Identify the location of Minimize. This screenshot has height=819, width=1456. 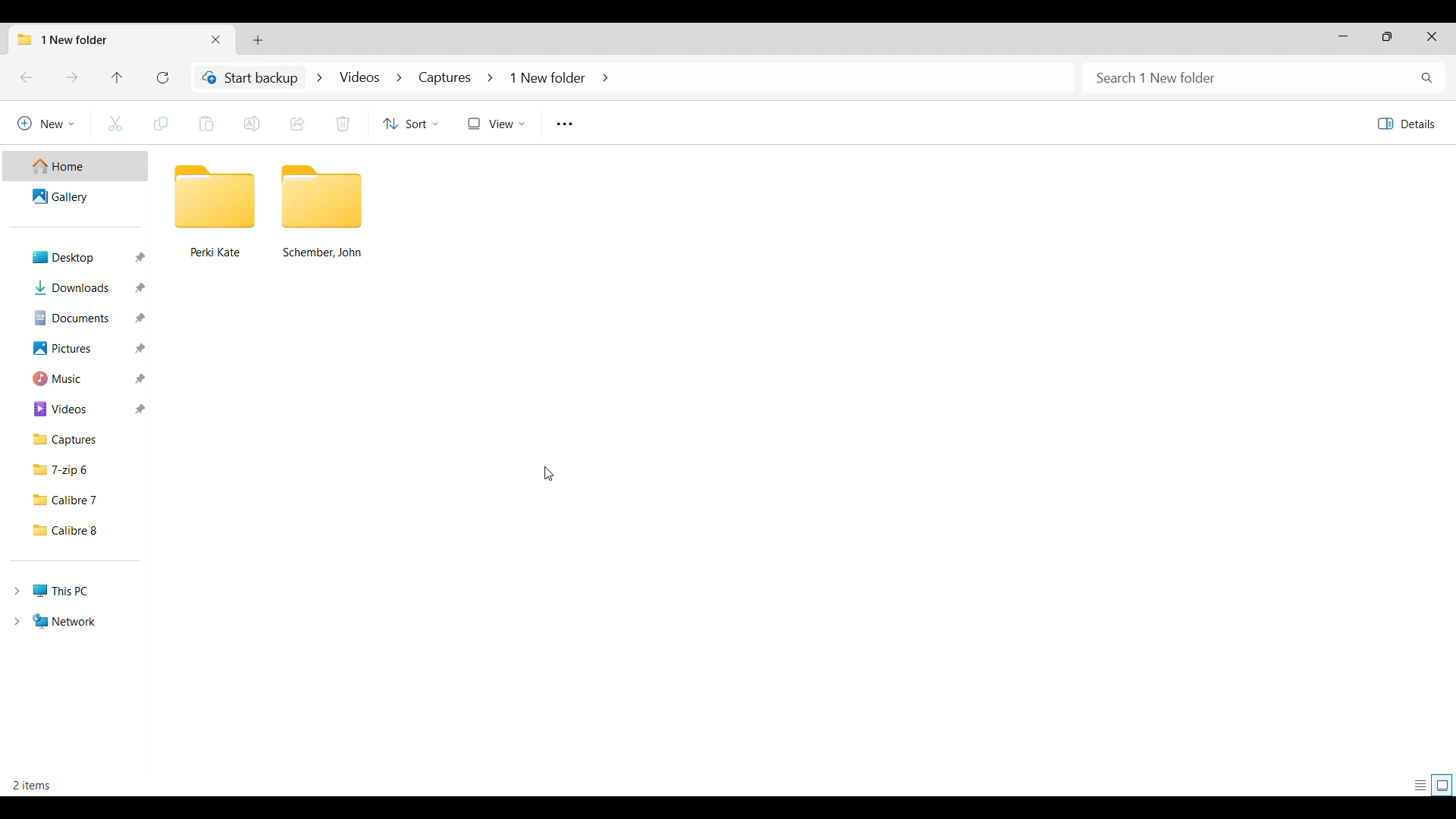
(1343, 36).